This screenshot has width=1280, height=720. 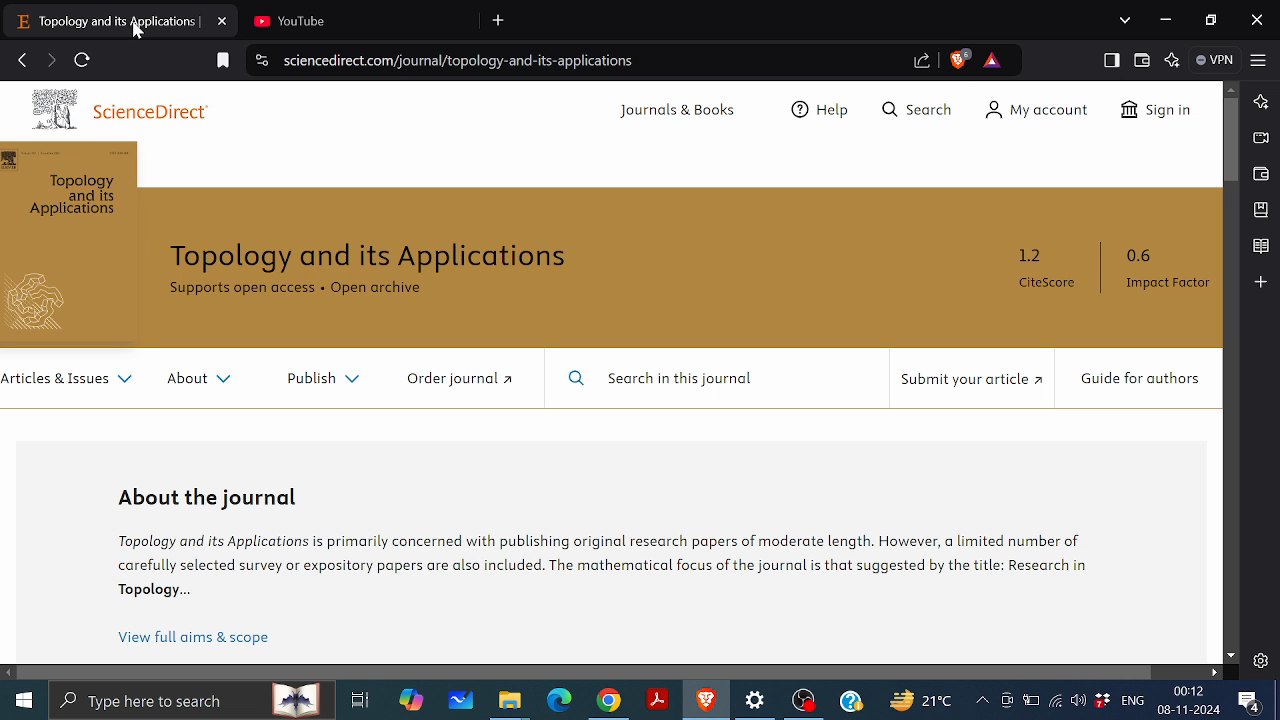 I want to click on Weather, so click(x=919, y=699).